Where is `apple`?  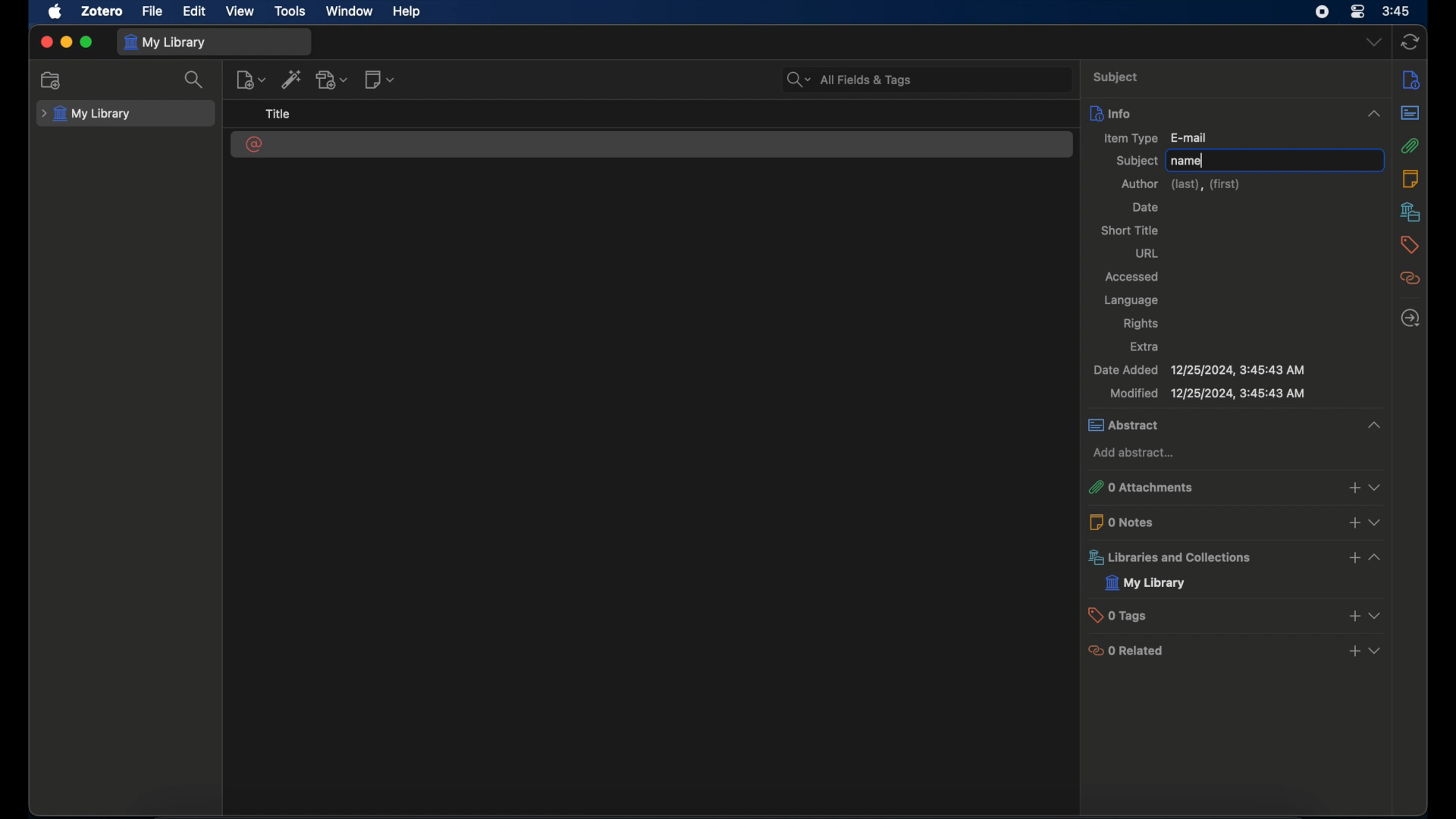
apple is located at coordinates (56, 12).